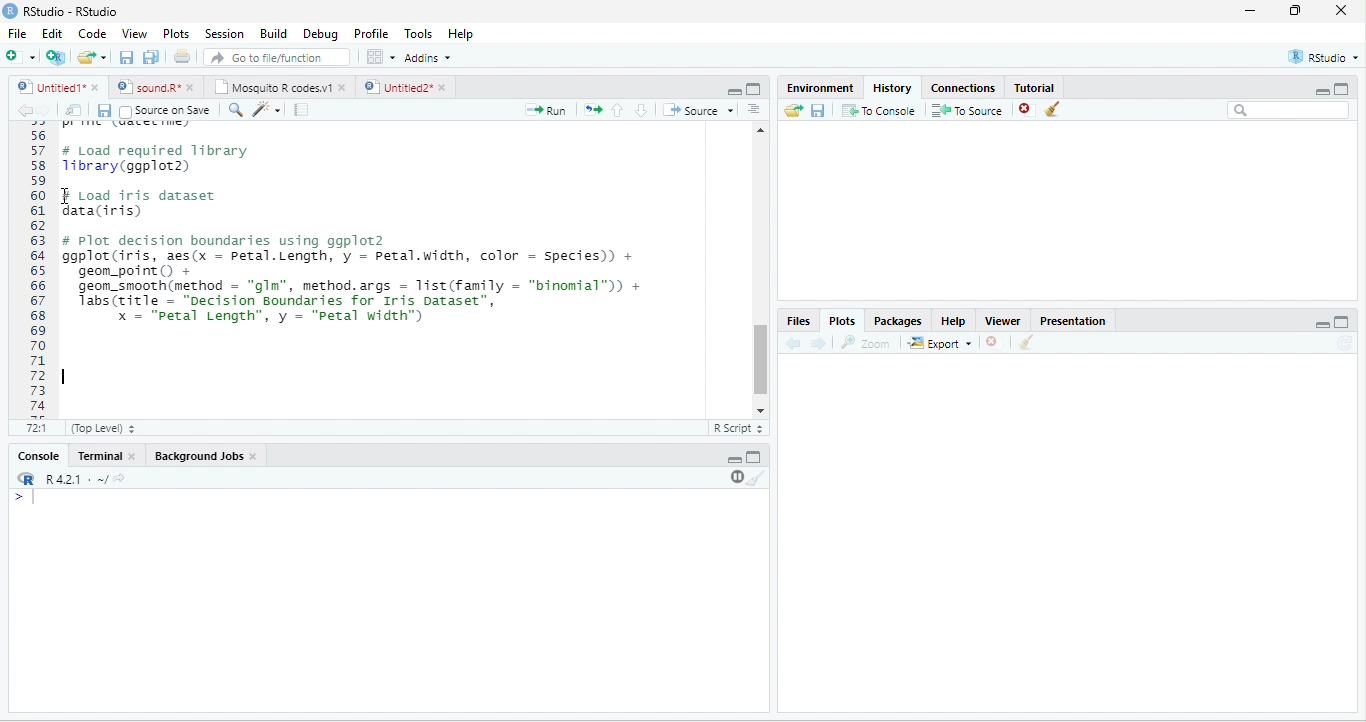 This screenshot has height=722, width=1366. What do you see at coordinates (1322, 326) in the screenshot?
I see `Minimize` at bounding box center [1322, 326].